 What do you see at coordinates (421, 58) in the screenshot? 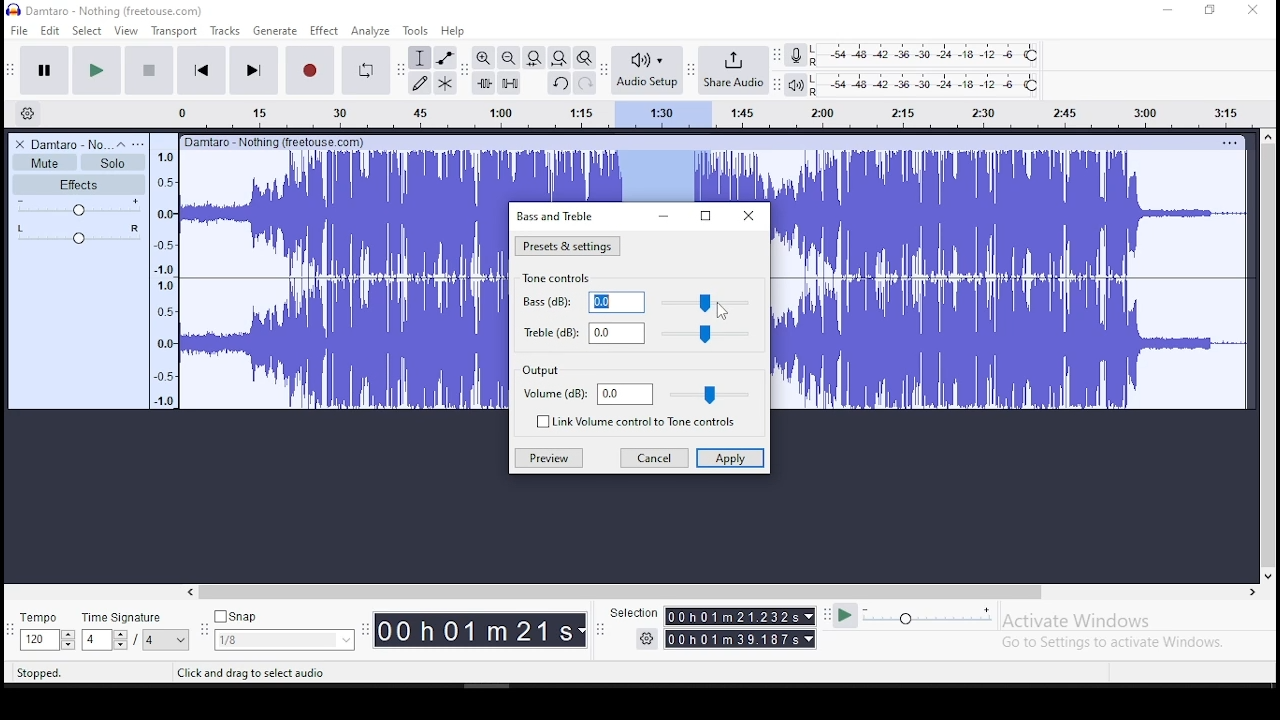
I see `selection tool` at bounding box center [421, 58].